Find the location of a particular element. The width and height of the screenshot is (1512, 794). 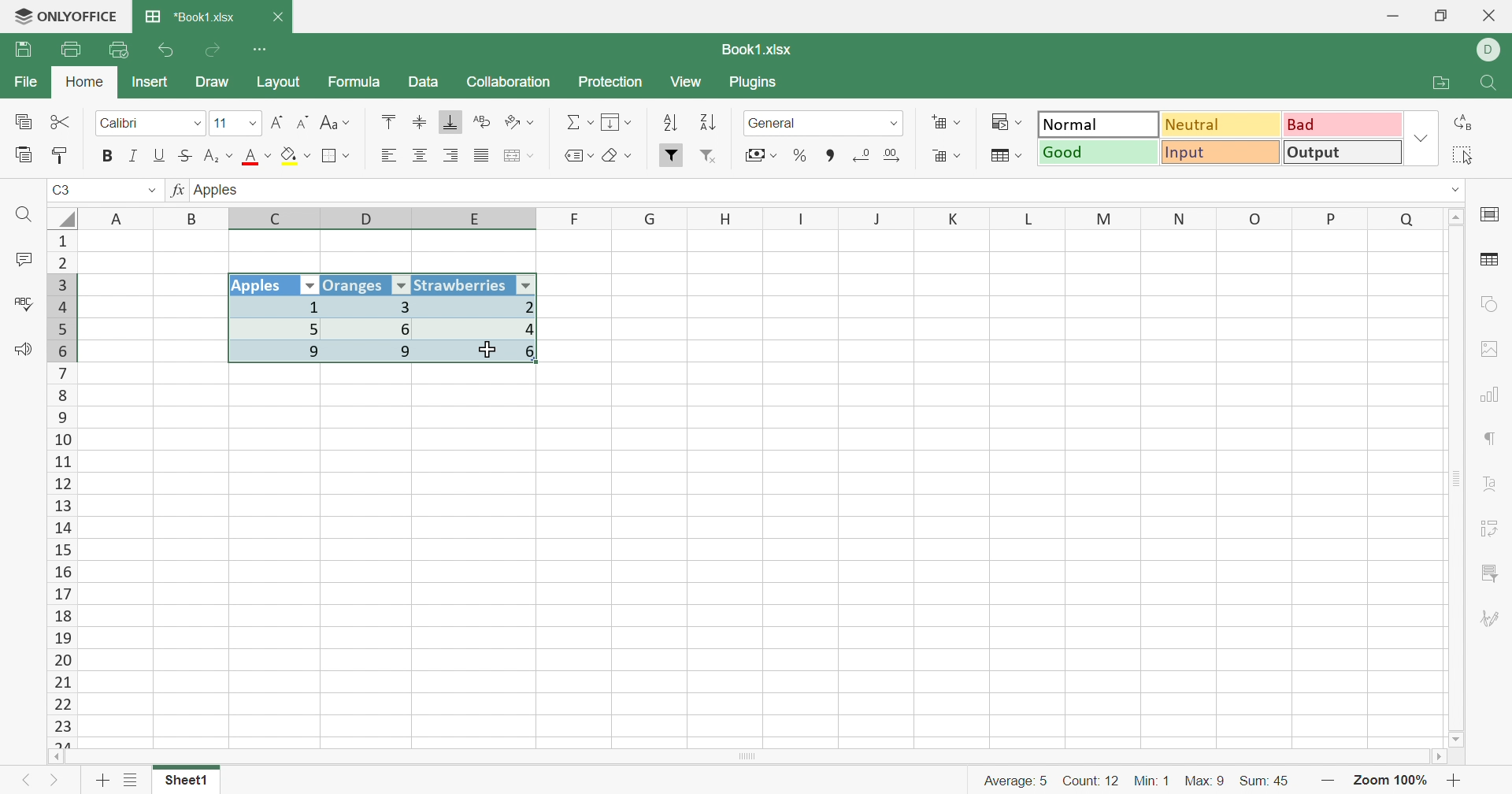

Calibri is located at coordinates (120, 124).